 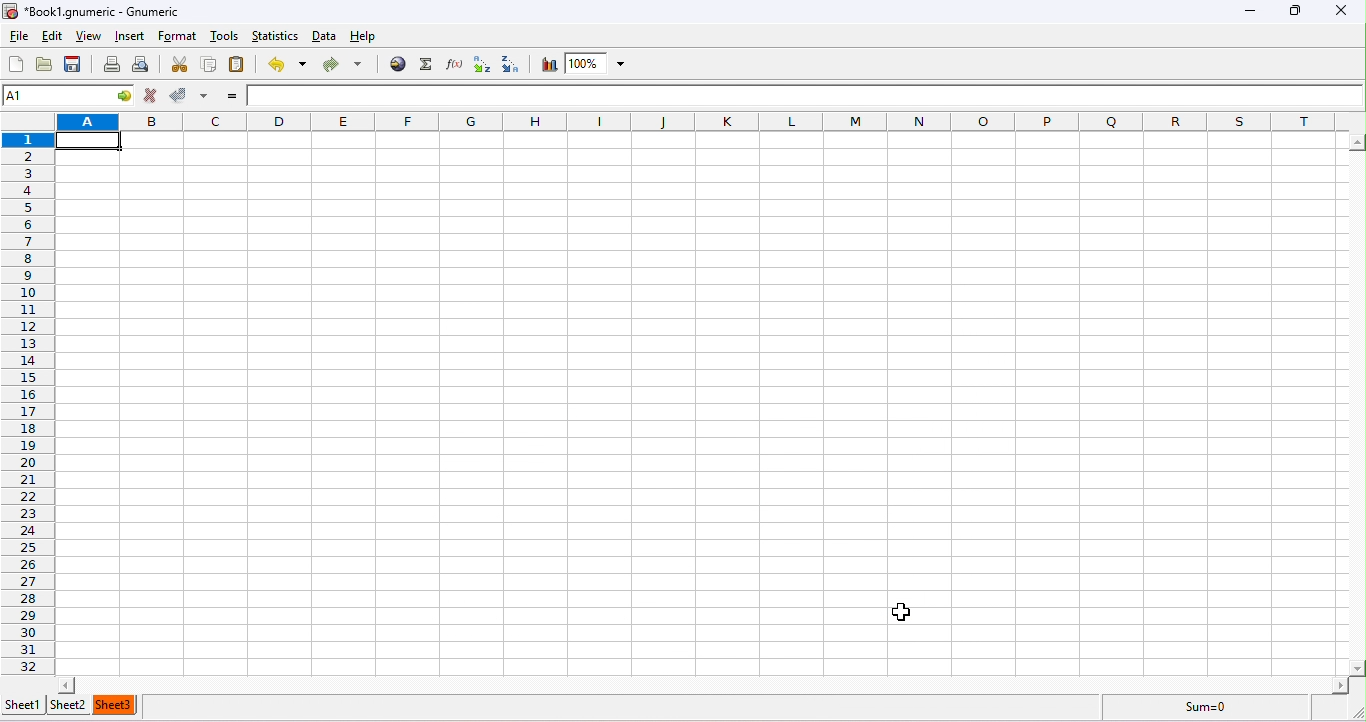 What do you see at coordinates (365, 32) in the screenshot?
I see `help` at bounding box center [365, 32].